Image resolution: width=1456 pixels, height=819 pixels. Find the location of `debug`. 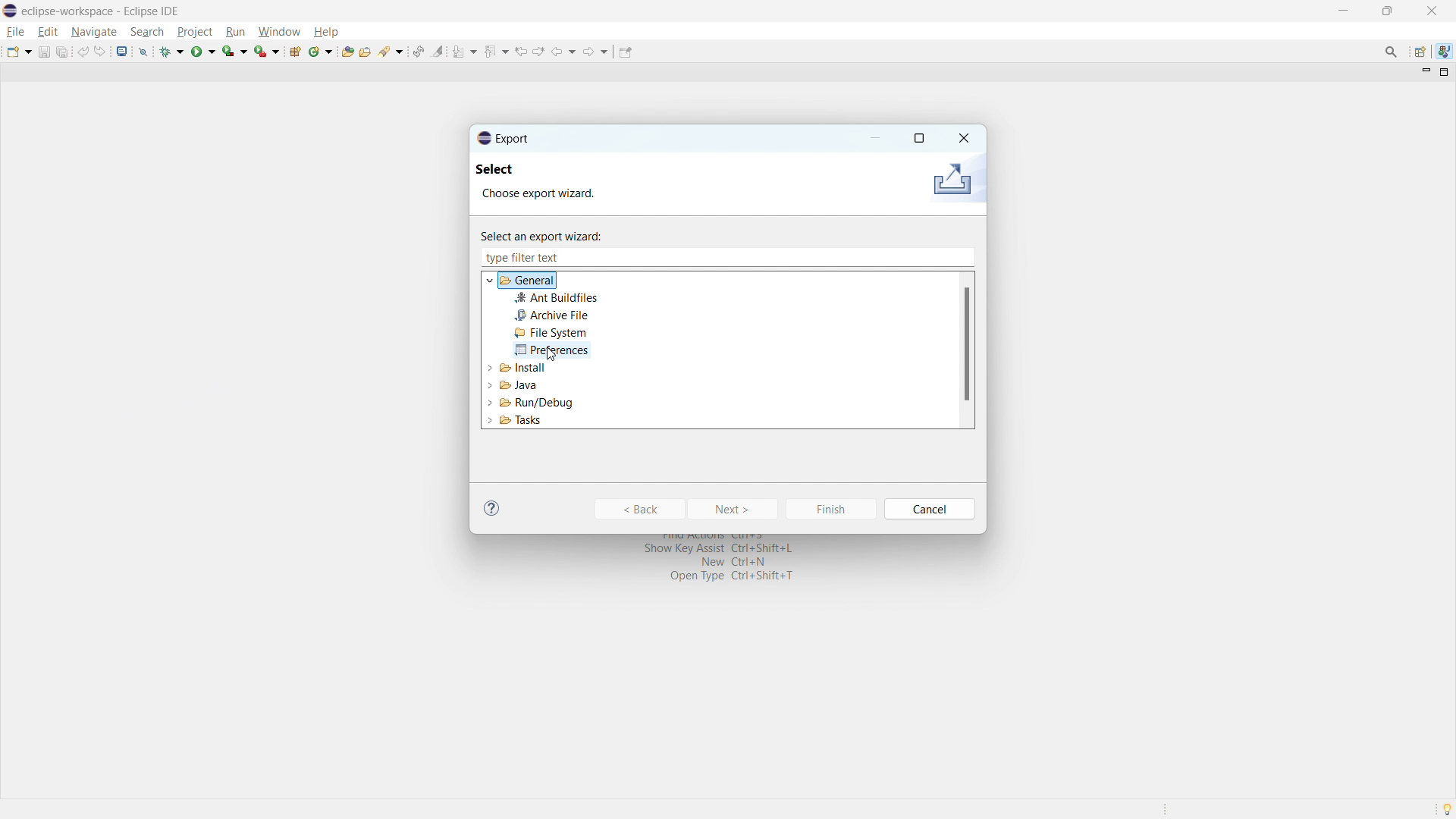

debug is located at coordinates (172, 52).